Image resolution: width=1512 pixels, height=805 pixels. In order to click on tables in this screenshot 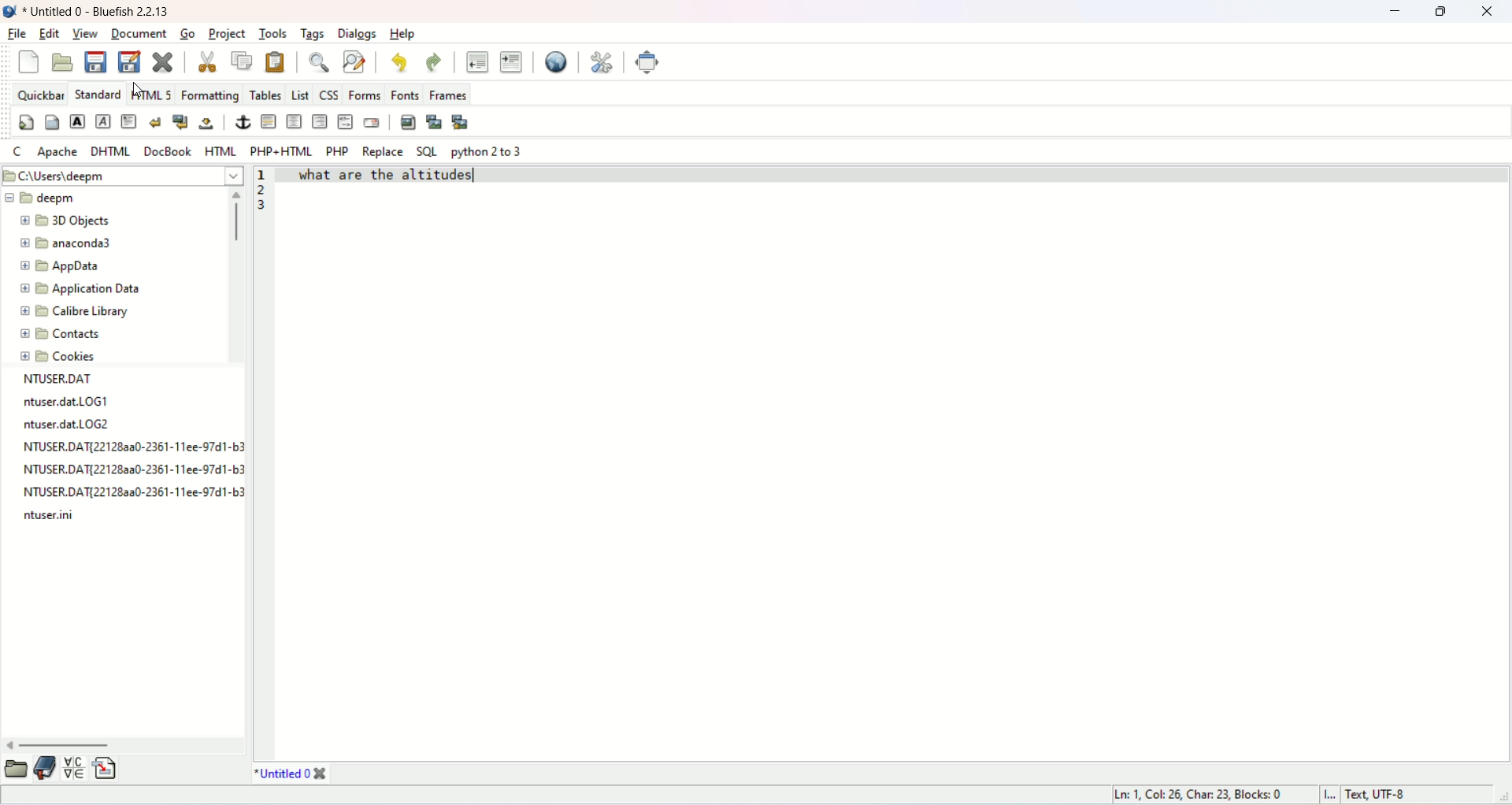, I will do `click(264, 95)`.